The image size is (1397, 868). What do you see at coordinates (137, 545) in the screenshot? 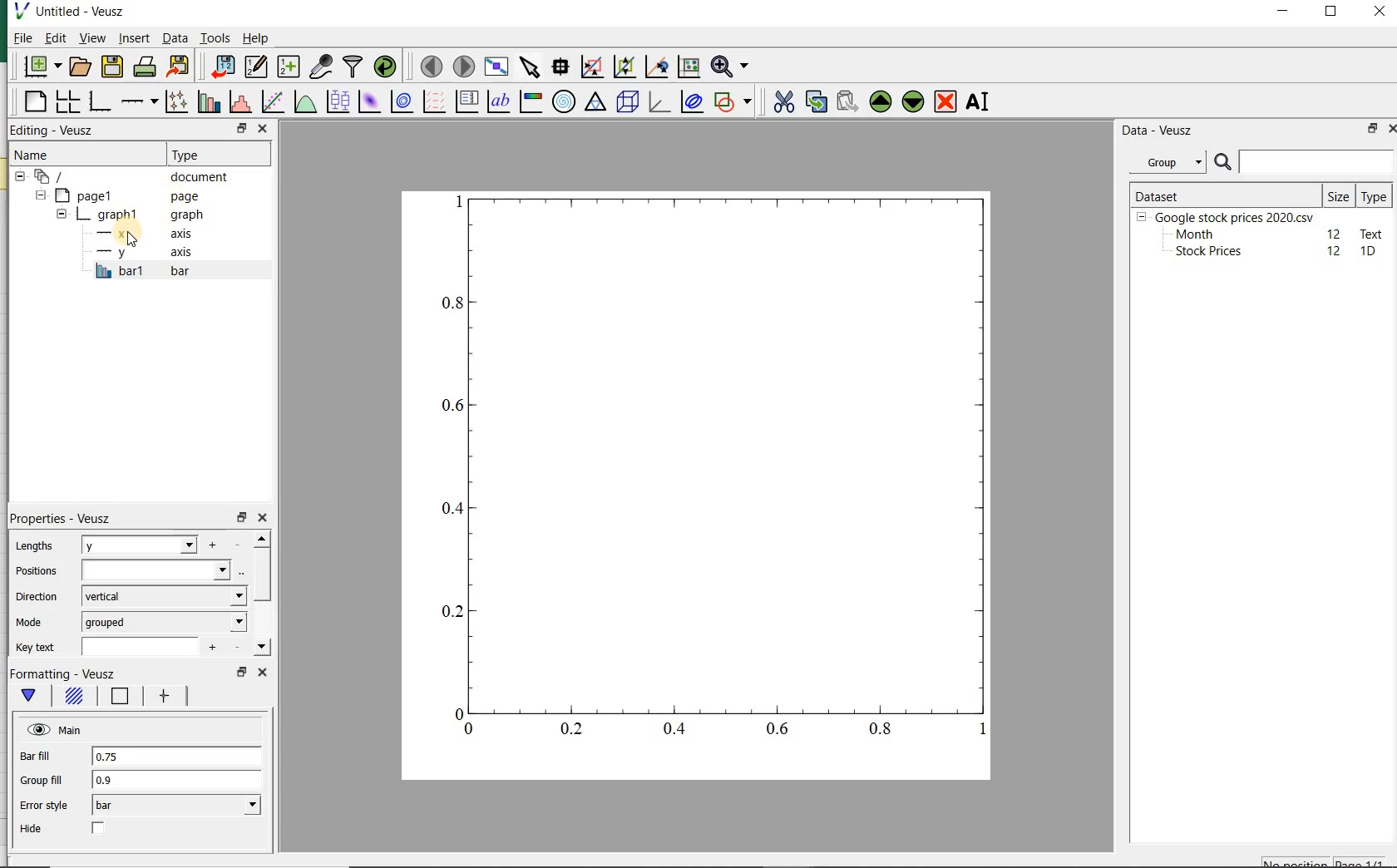
I see `y` at bounding box center [137, 545].